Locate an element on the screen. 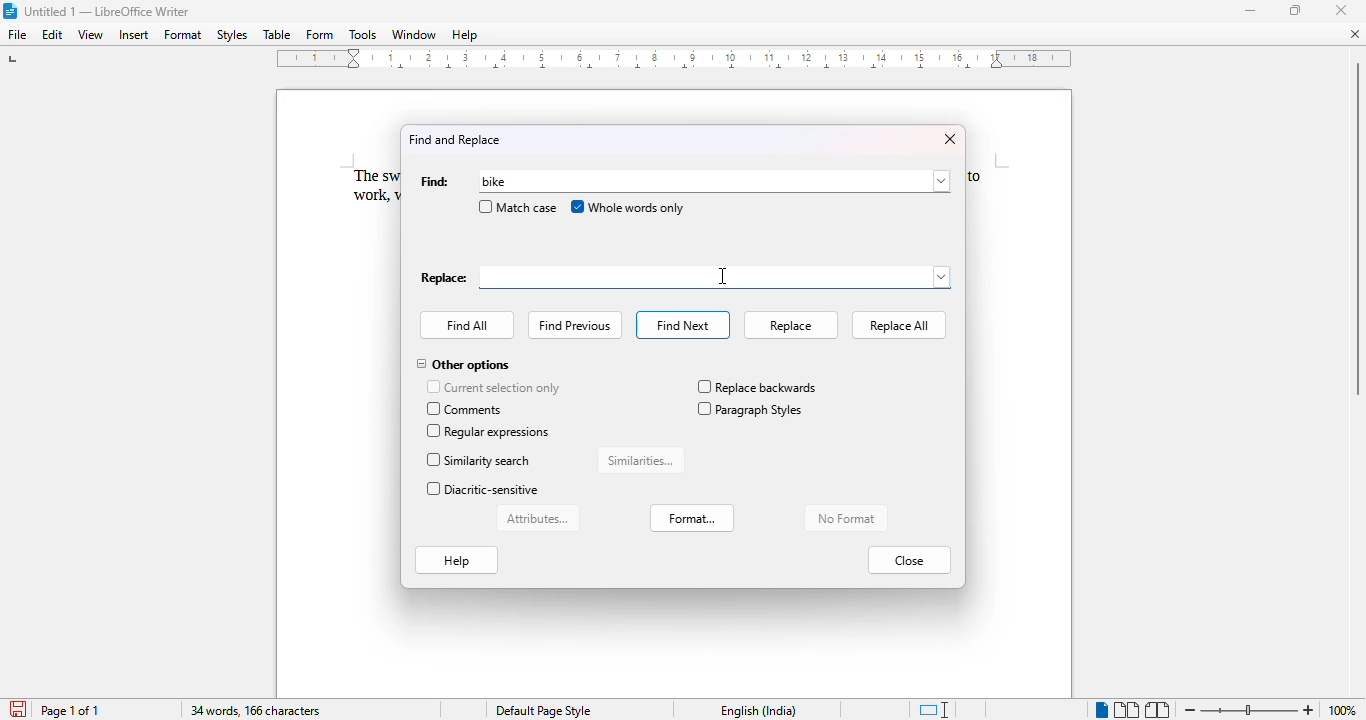  styles is located at coordinates (231, 35).